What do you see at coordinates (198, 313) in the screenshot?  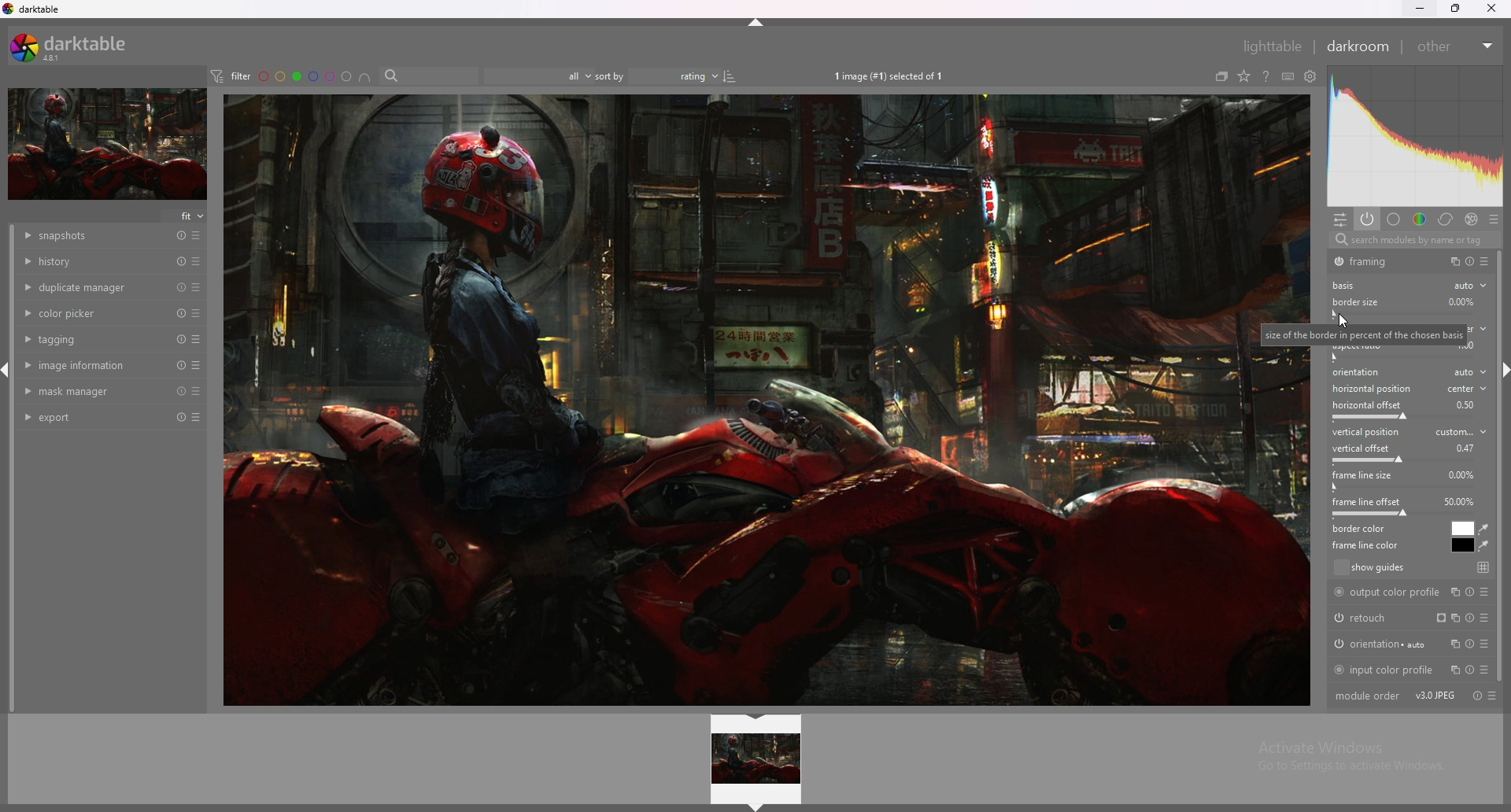 I see `presets` at bounding box center [198, 313].